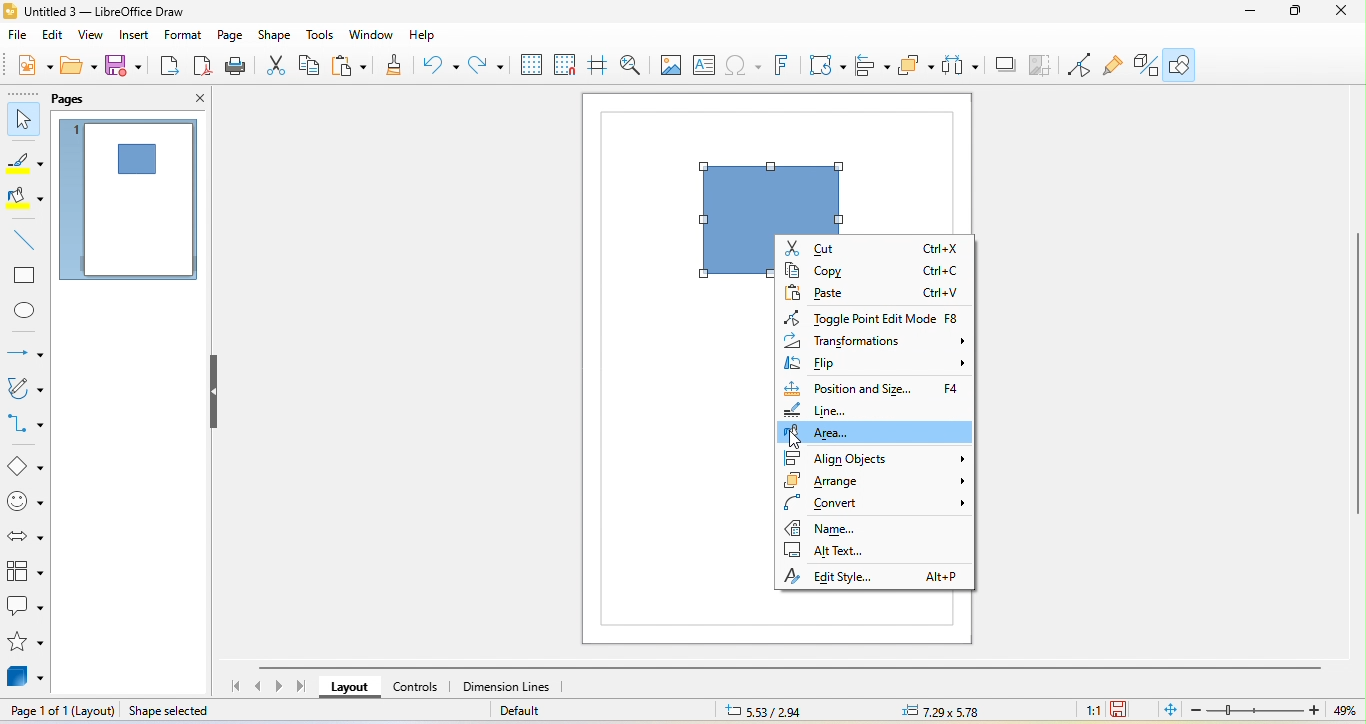 The height and width of the screenshot is (724, 1366). Describe the element at coordinates (310, 68) in the screenshot. I see `copy` at that location.